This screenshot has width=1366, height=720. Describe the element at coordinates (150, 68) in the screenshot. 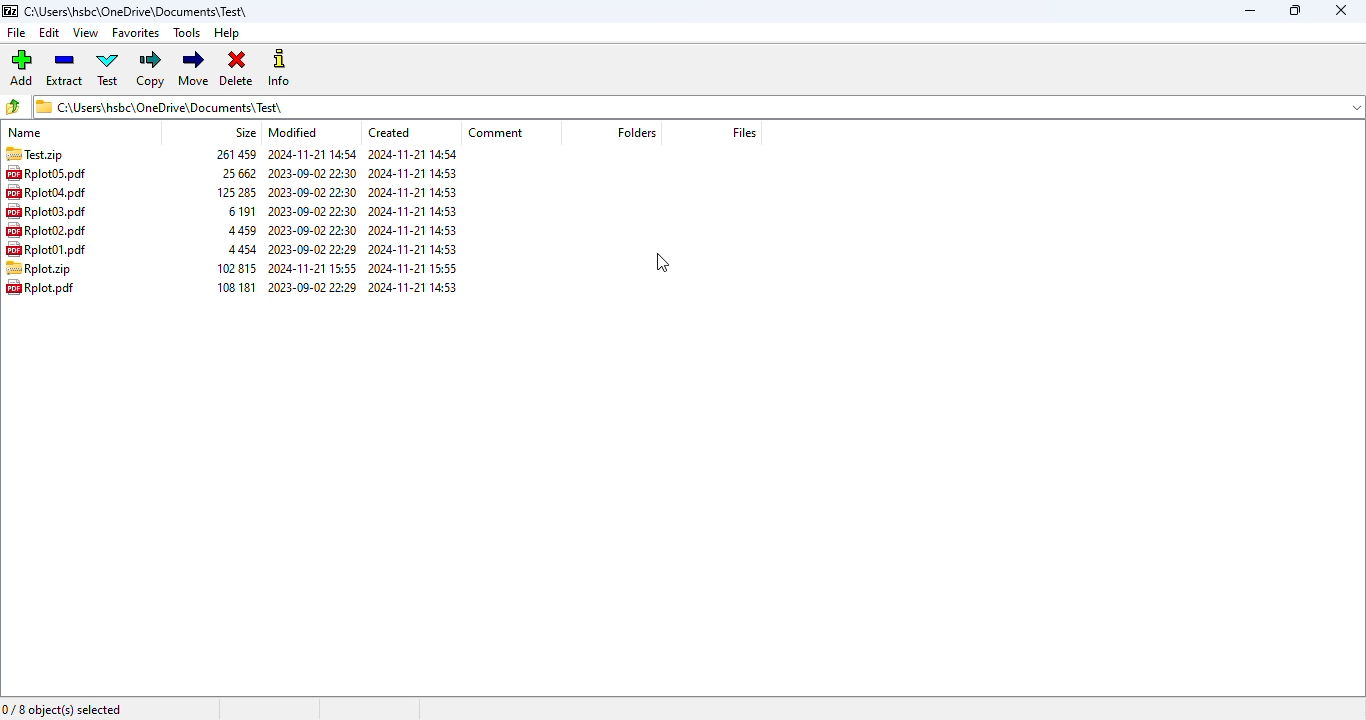

I see `copy` at that location.